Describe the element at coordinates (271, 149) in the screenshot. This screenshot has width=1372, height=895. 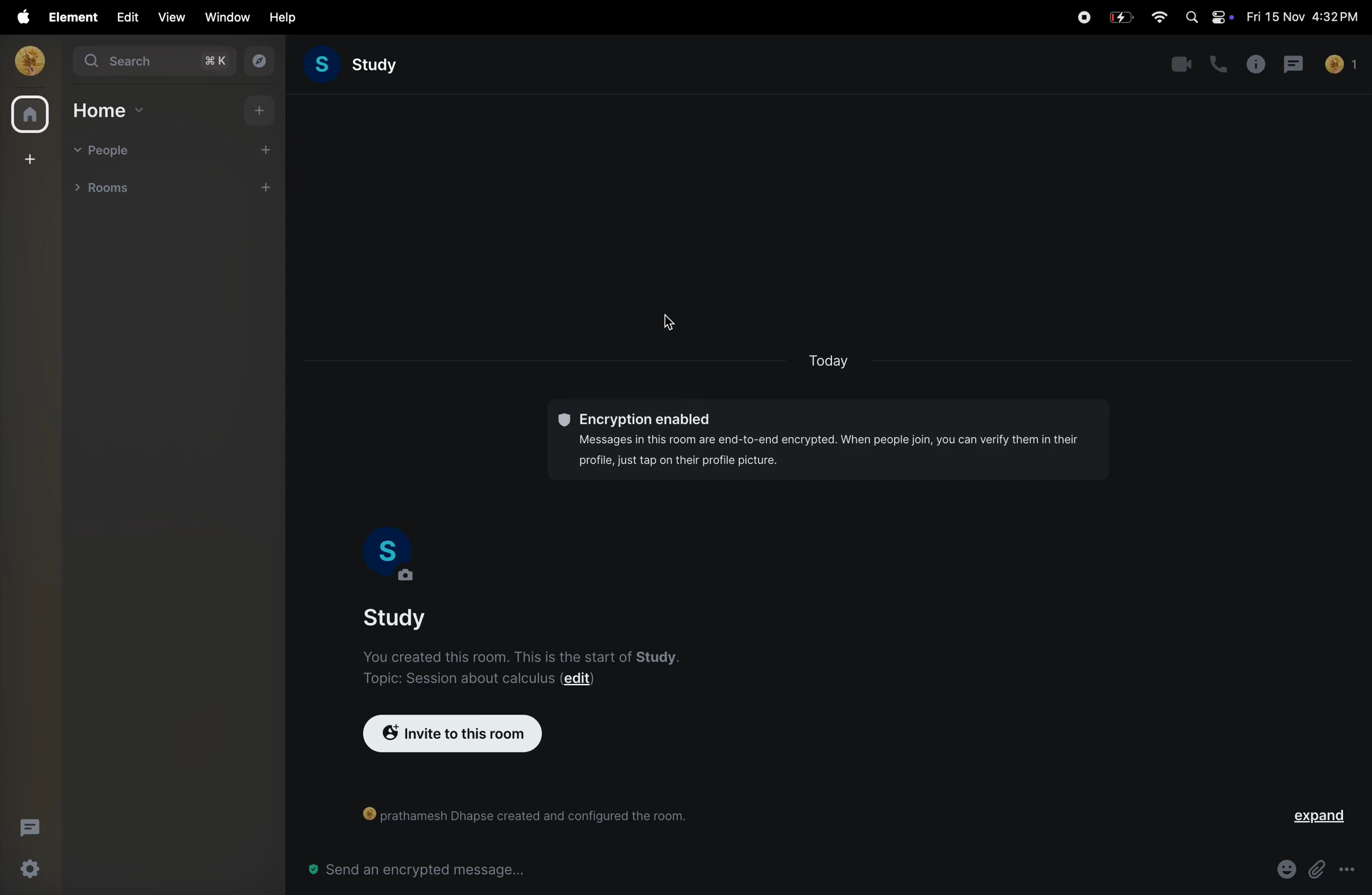
I see `add` at that location.